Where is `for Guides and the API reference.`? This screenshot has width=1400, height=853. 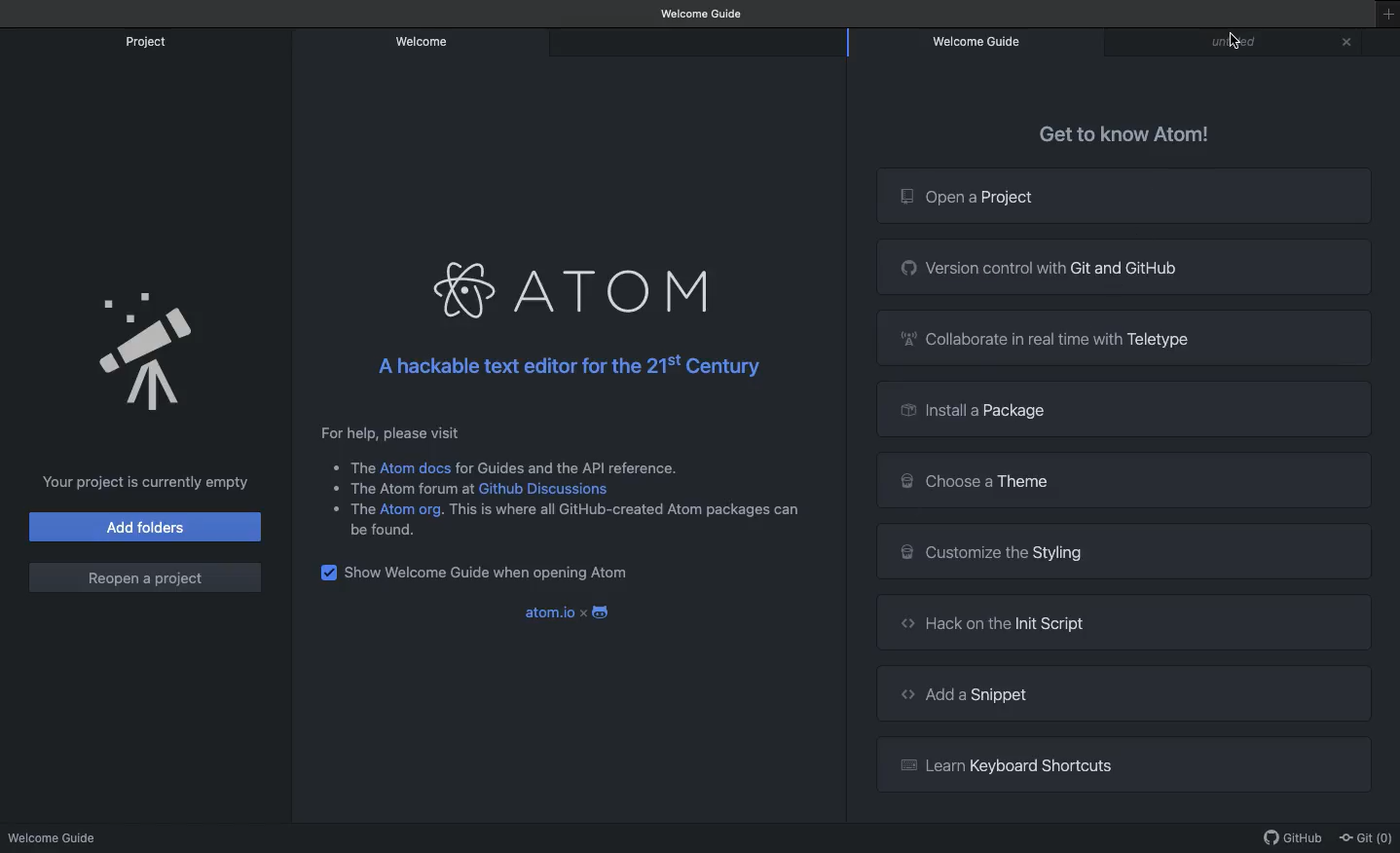 for Guides and the API reference. is located at coordinates (567, 468).